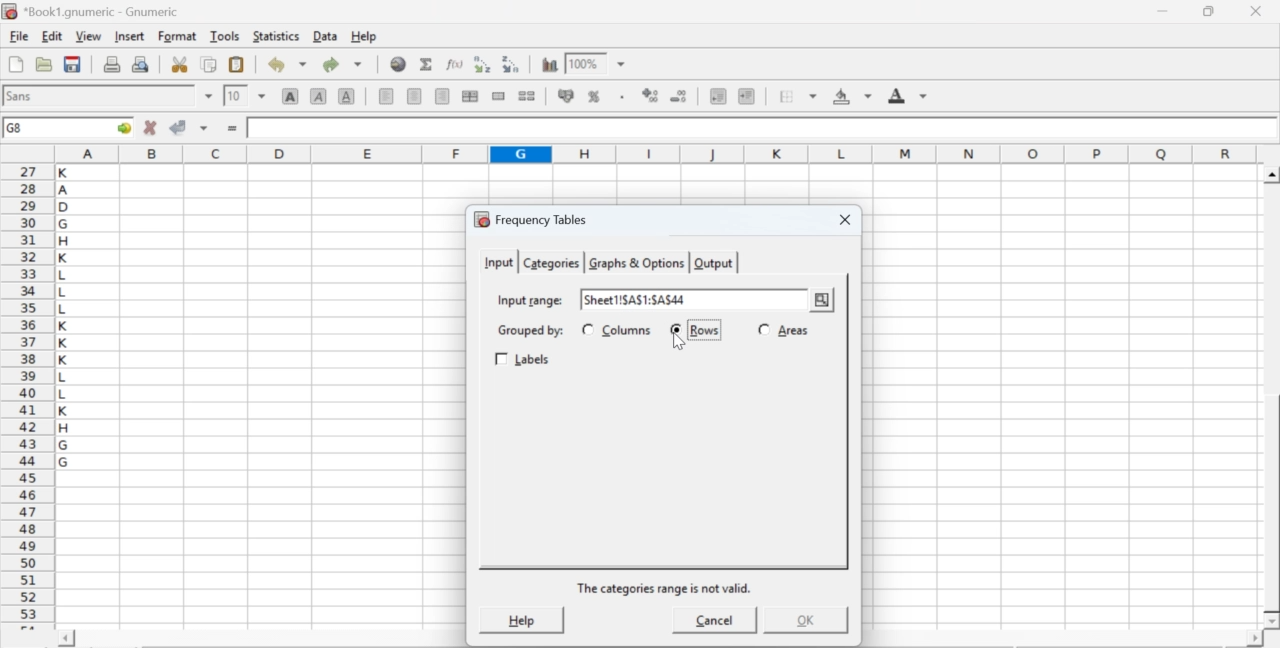 This screenshot has width=1280, height=648. What do you see at coordinates (520, 619) in the screenshot?
I see `help` at bounding box center [520, 619].